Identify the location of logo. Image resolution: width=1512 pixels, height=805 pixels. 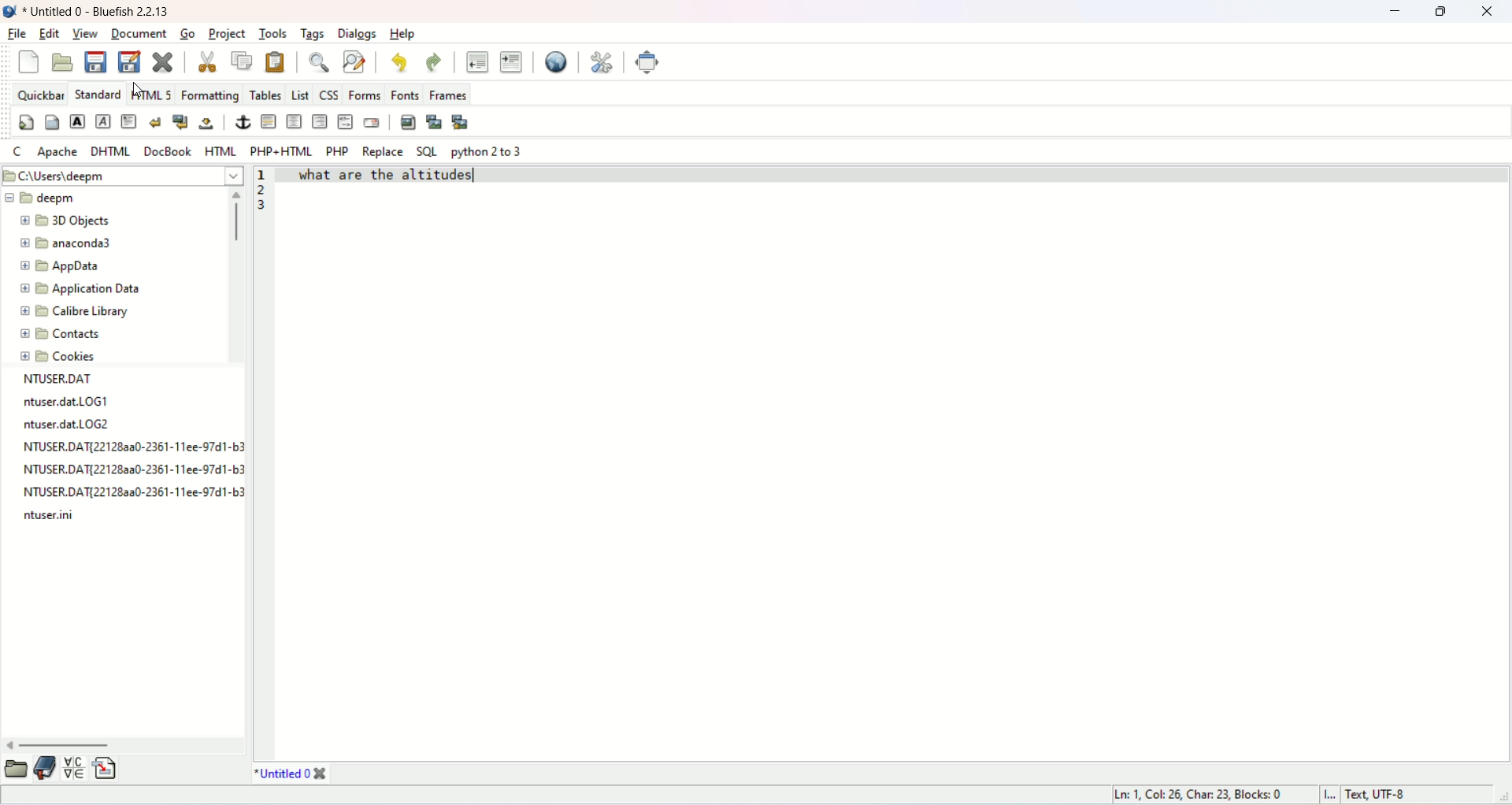
(9, 11).